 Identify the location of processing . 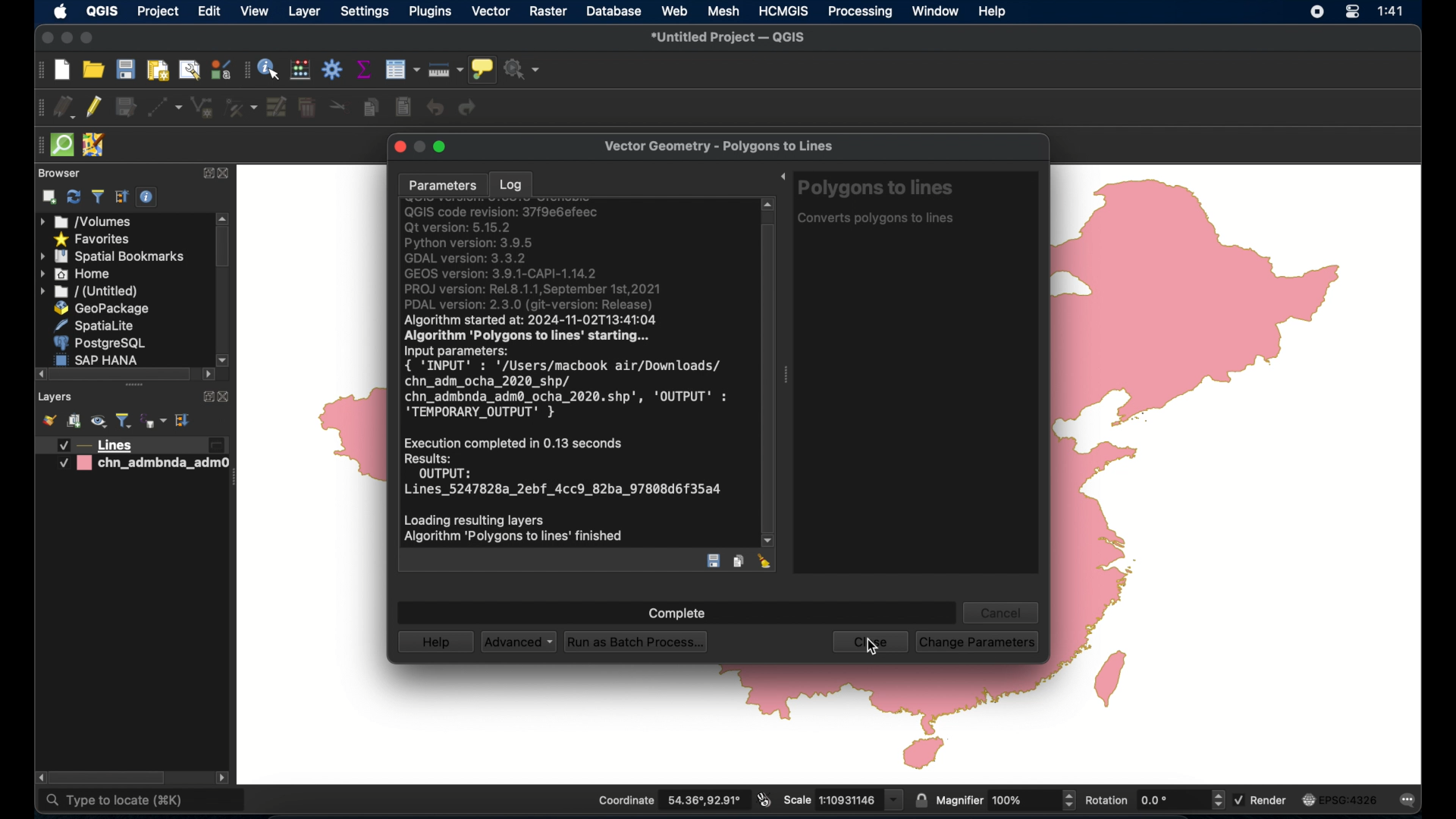
(861, 12).